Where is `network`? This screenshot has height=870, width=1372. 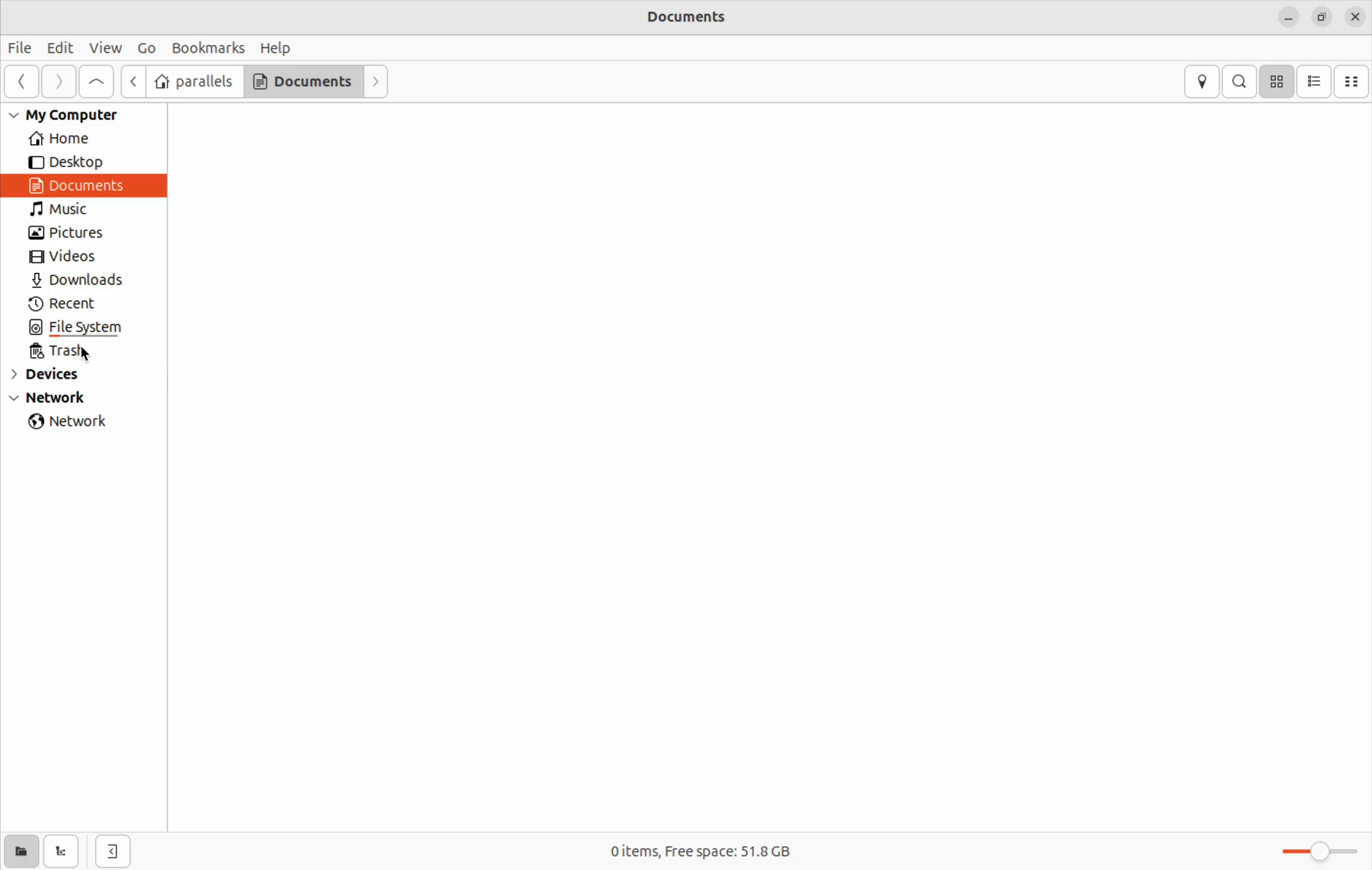
network is located at coordinates (83, 424).